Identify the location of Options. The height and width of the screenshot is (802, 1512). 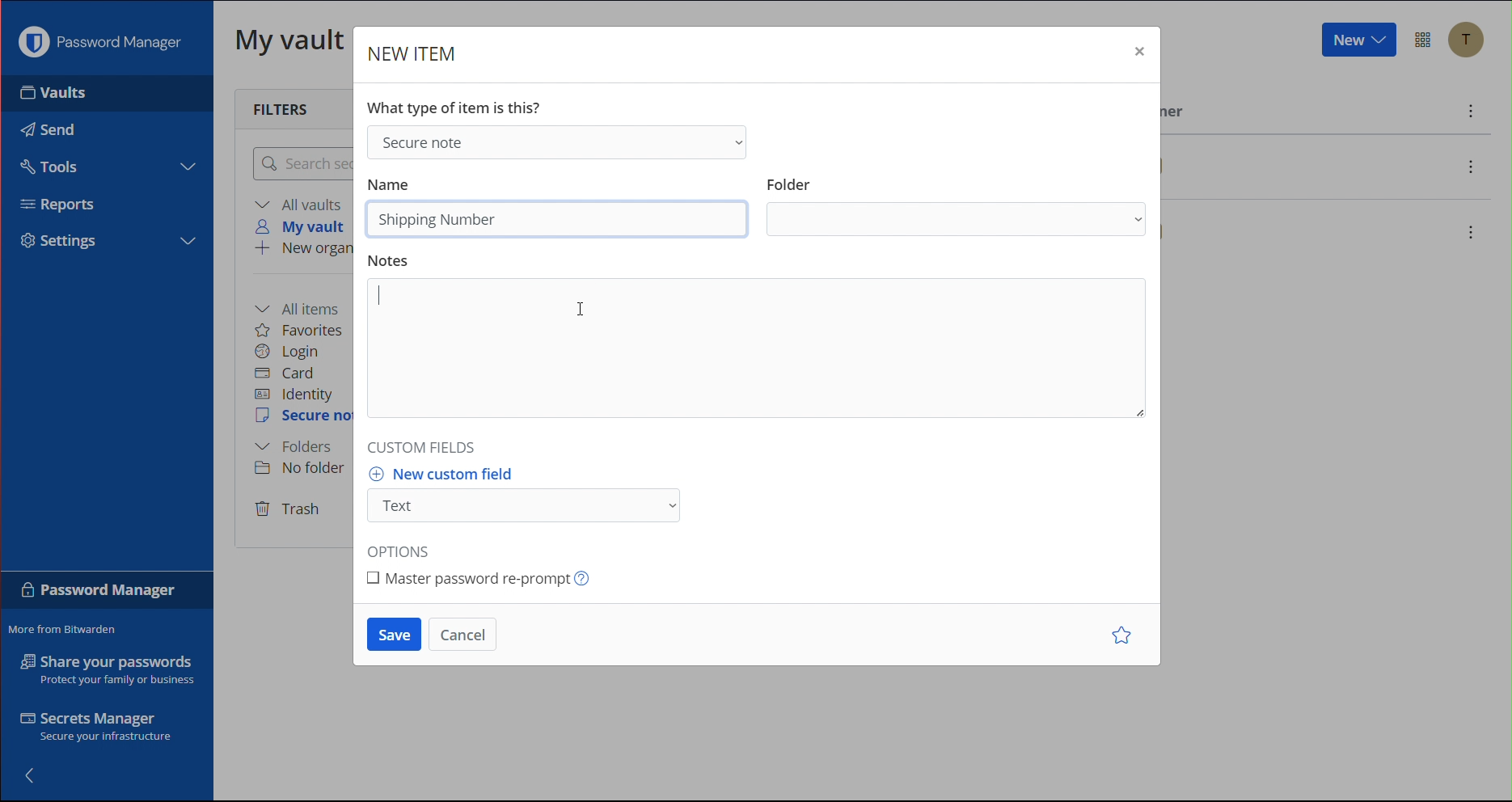
(1425, 39).